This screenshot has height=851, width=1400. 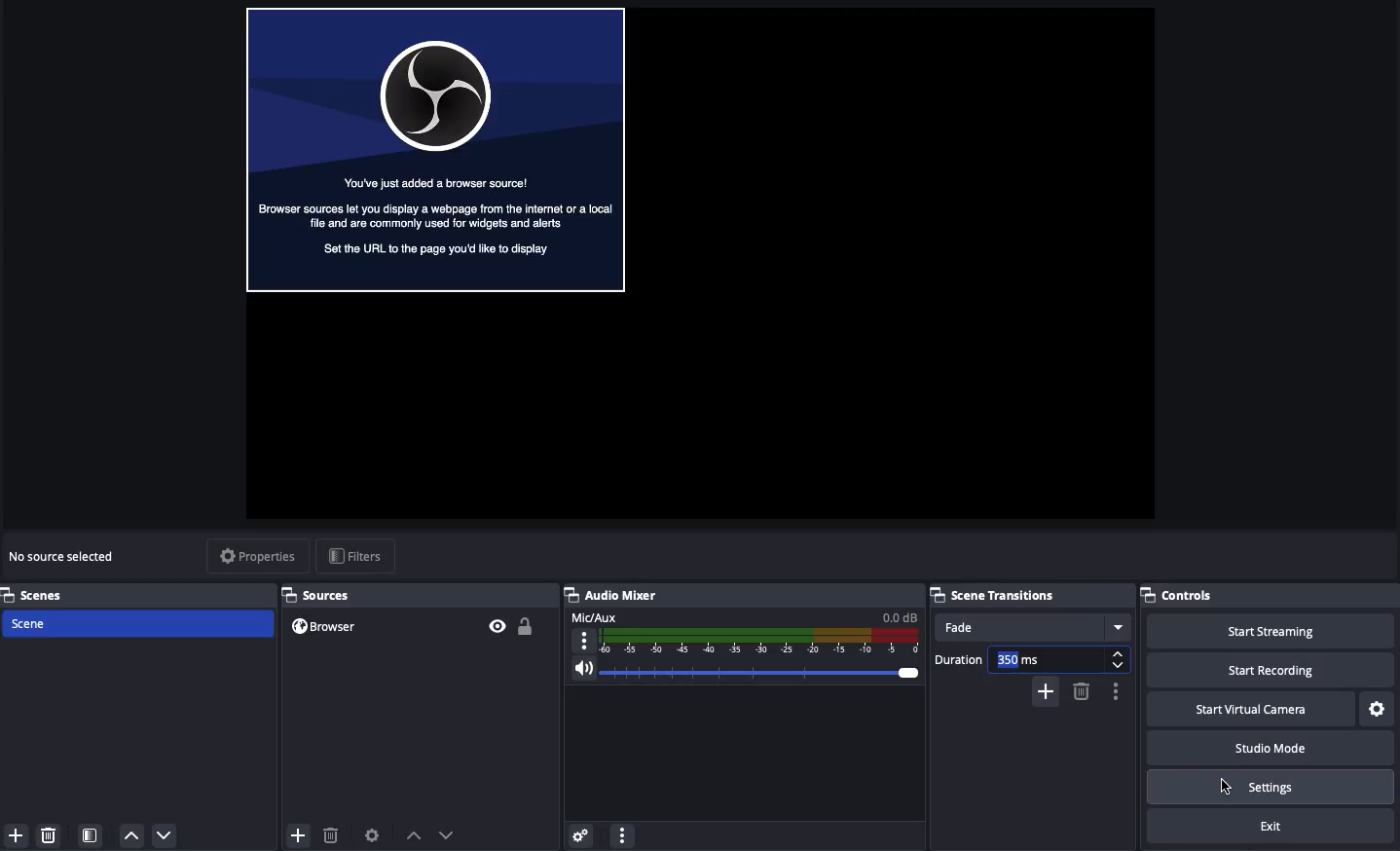 What do you see at coordinates (577, 834) in the screenshot?
I see `Settings` at bounding box center [577, 834].